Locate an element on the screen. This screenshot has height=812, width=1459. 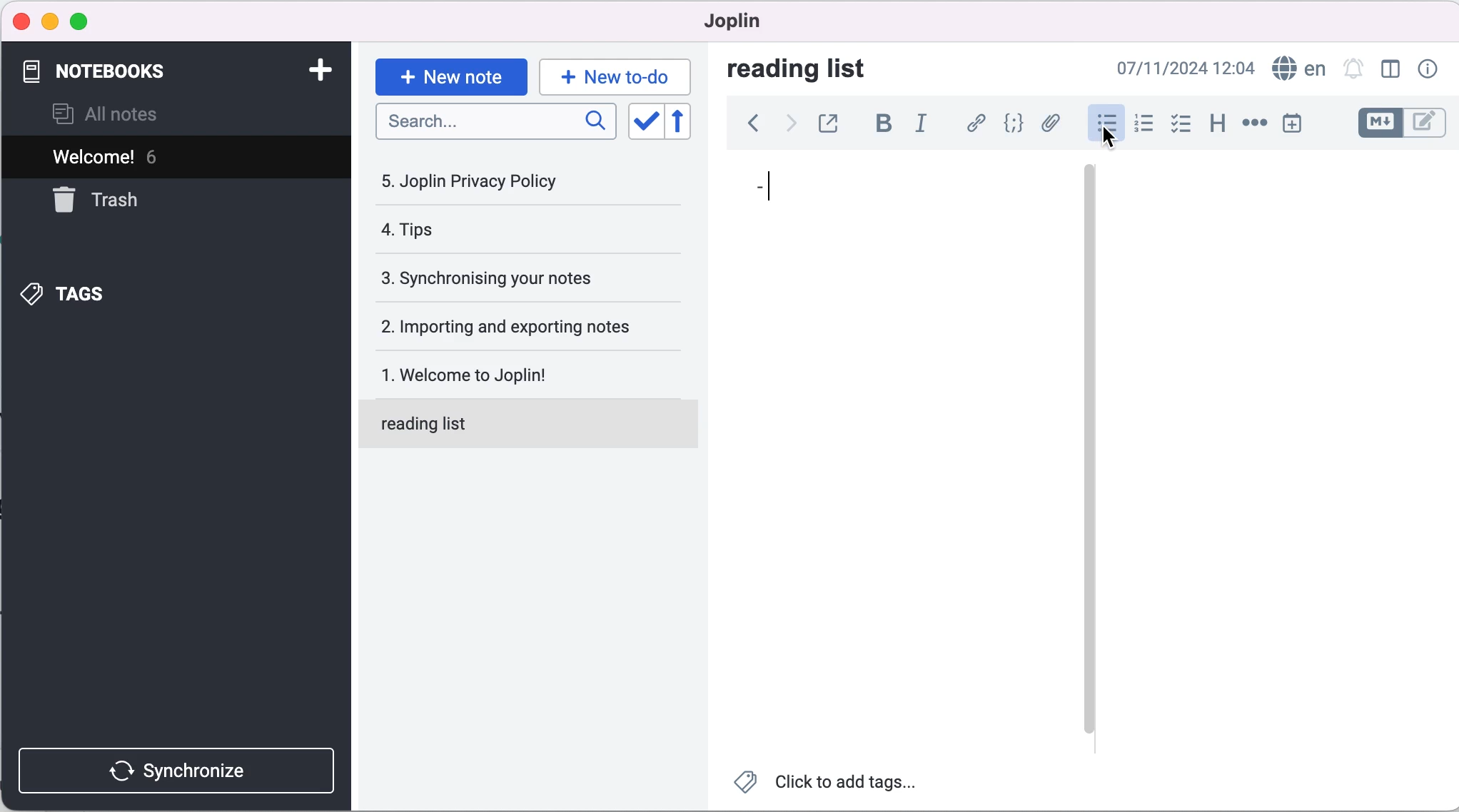
joplin is located at coordinates (757, 23).